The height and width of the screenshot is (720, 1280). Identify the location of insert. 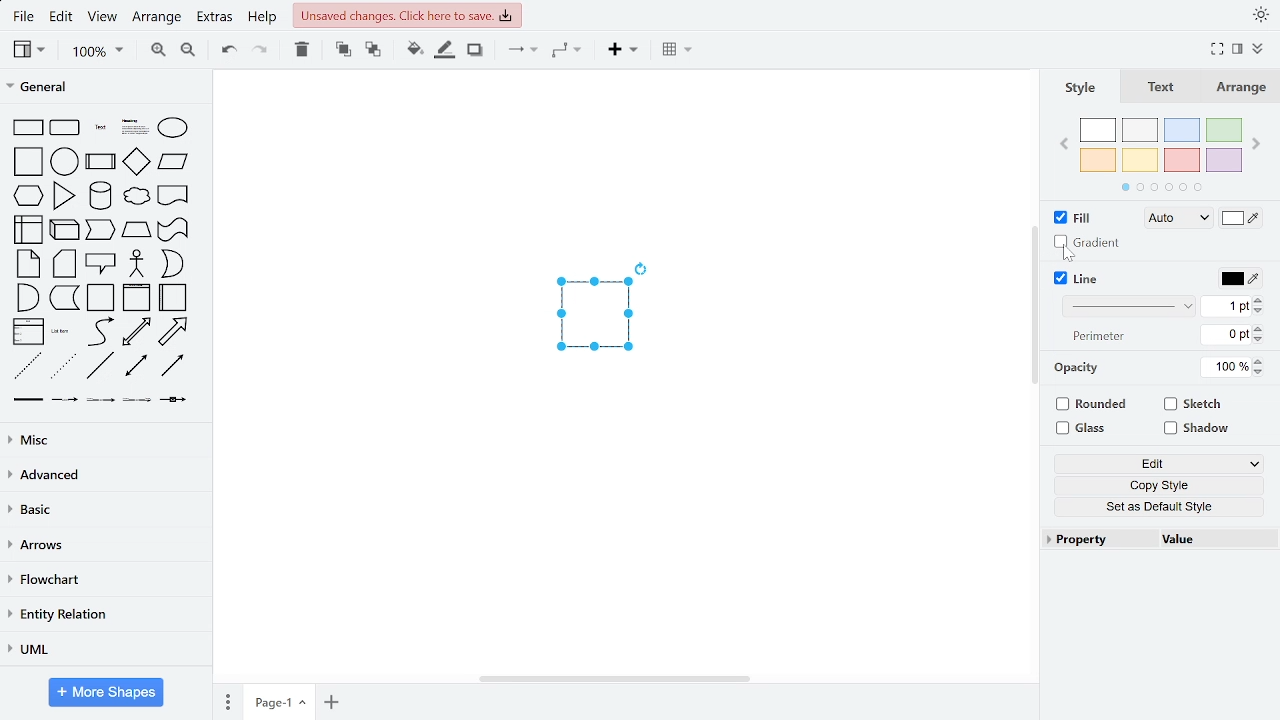
(621, 51).